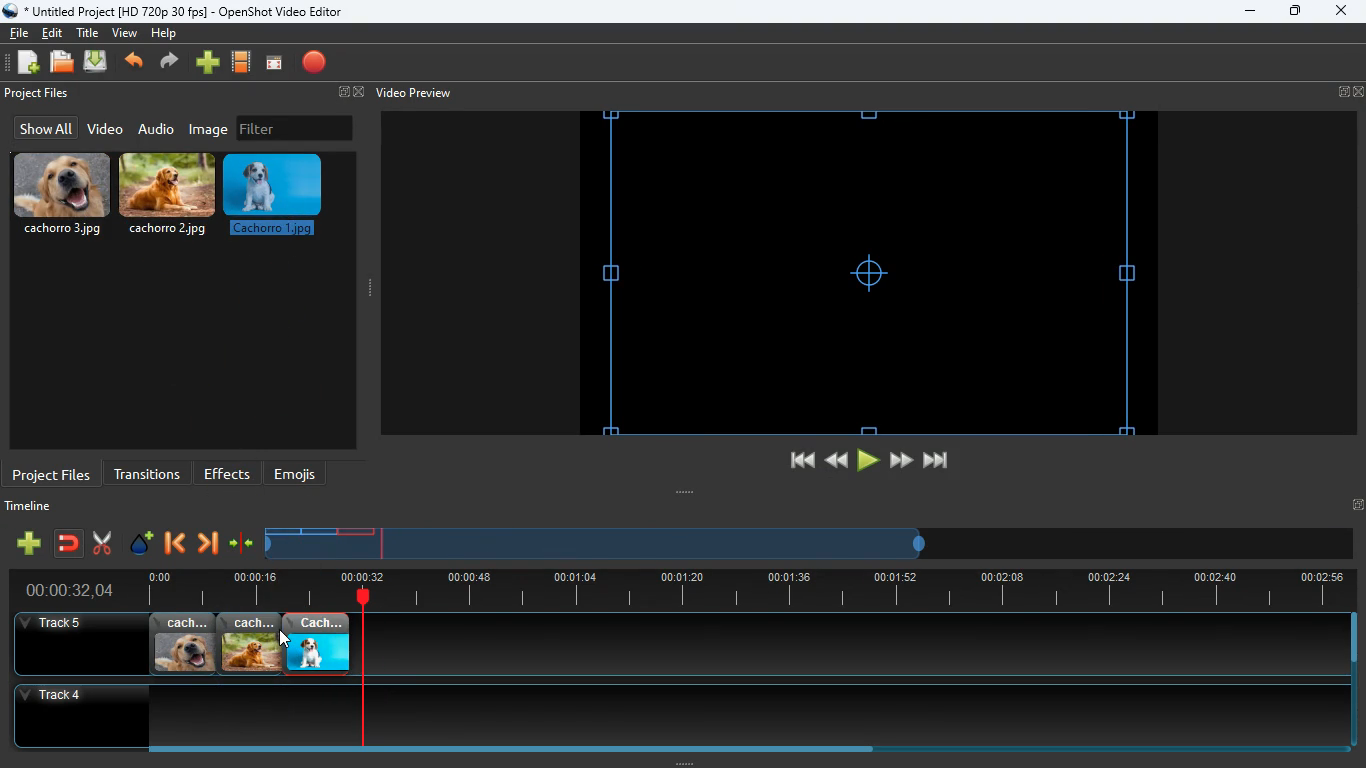 This screenshot has width=1366, height=768. What do you see at coordinates (938, 464) in the screenshot?
I see `end` at bounding box center [938, 464].